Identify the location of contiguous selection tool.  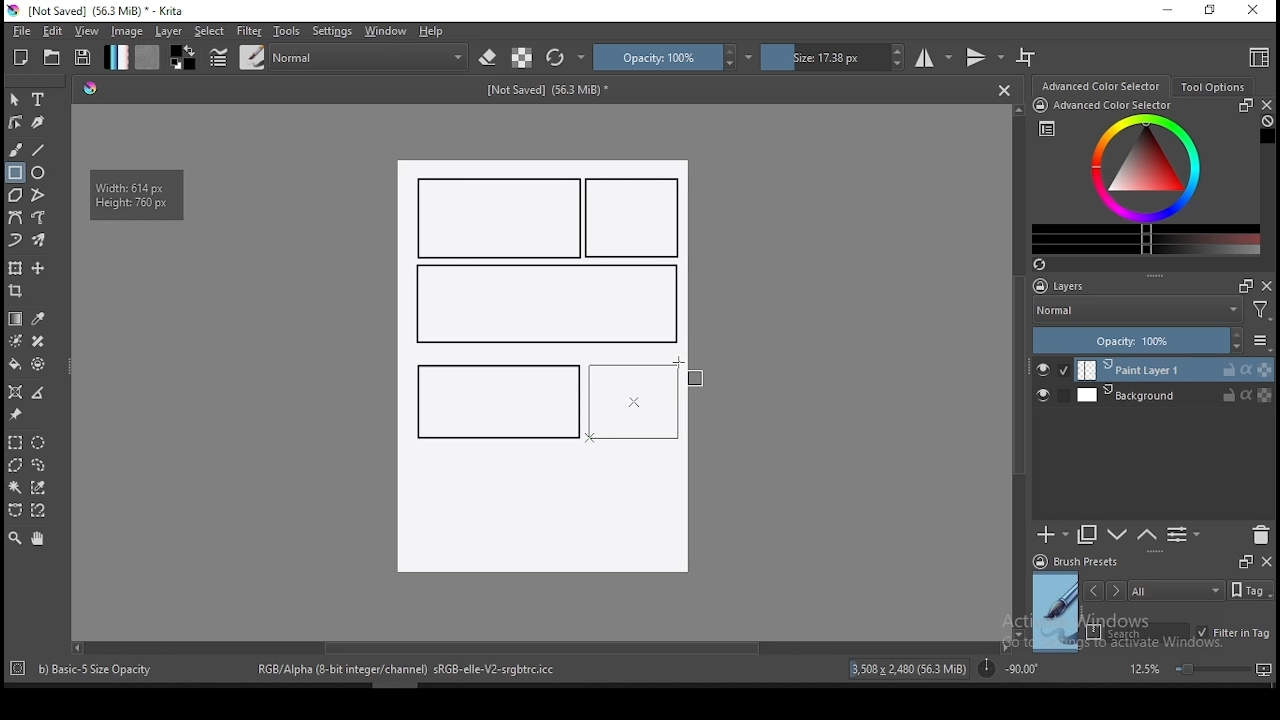
(16, 489).